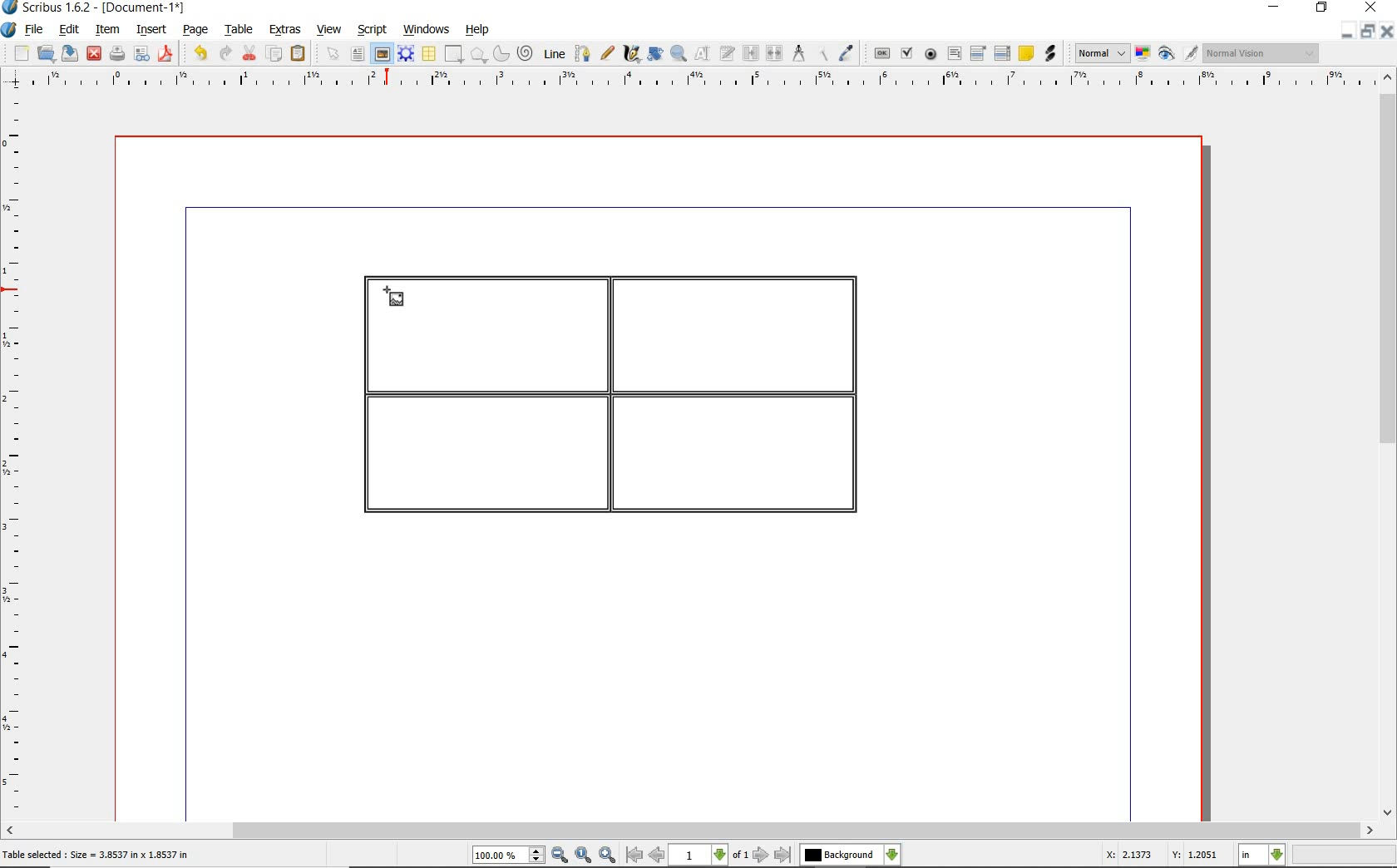 The height and width of the screenshot is (868, 1397). I want to click on pdf push button, so click(882, 52).